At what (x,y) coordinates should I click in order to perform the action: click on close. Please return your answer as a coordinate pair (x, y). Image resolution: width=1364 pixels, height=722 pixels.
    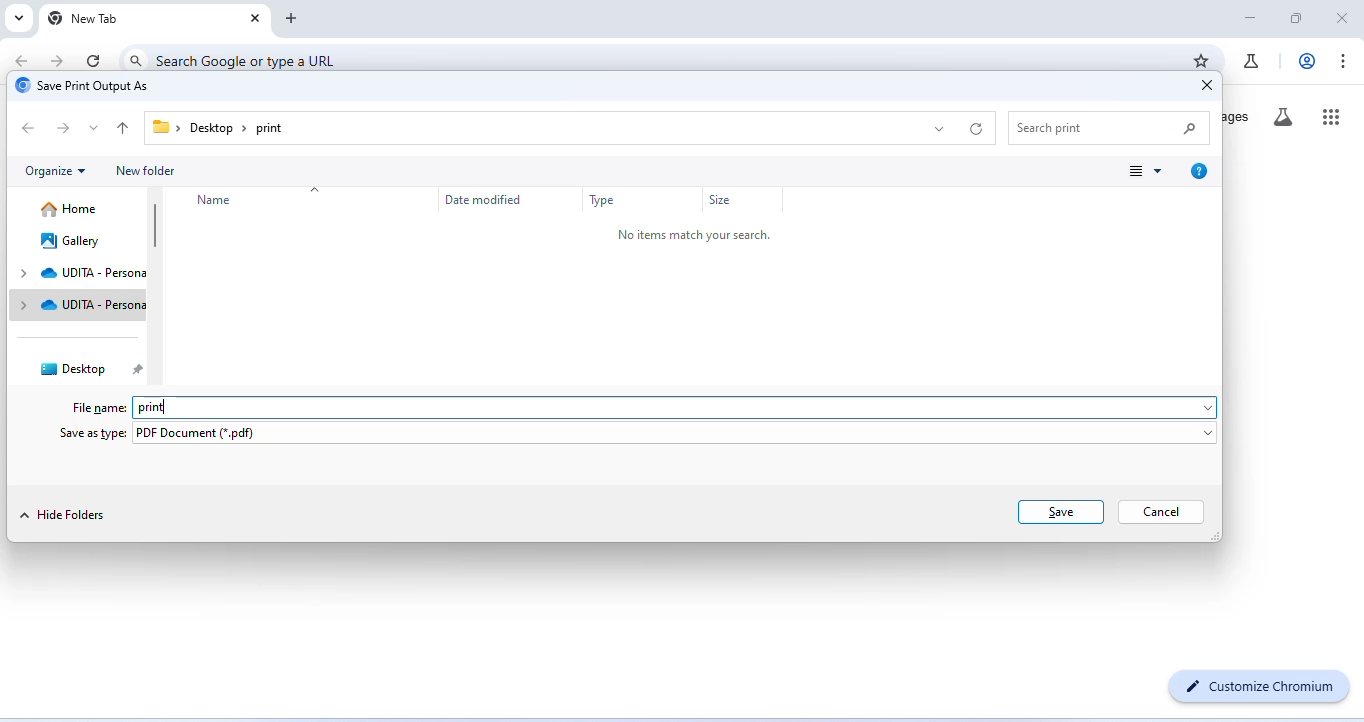
    Looking at the image, I should click on (1339, 17).